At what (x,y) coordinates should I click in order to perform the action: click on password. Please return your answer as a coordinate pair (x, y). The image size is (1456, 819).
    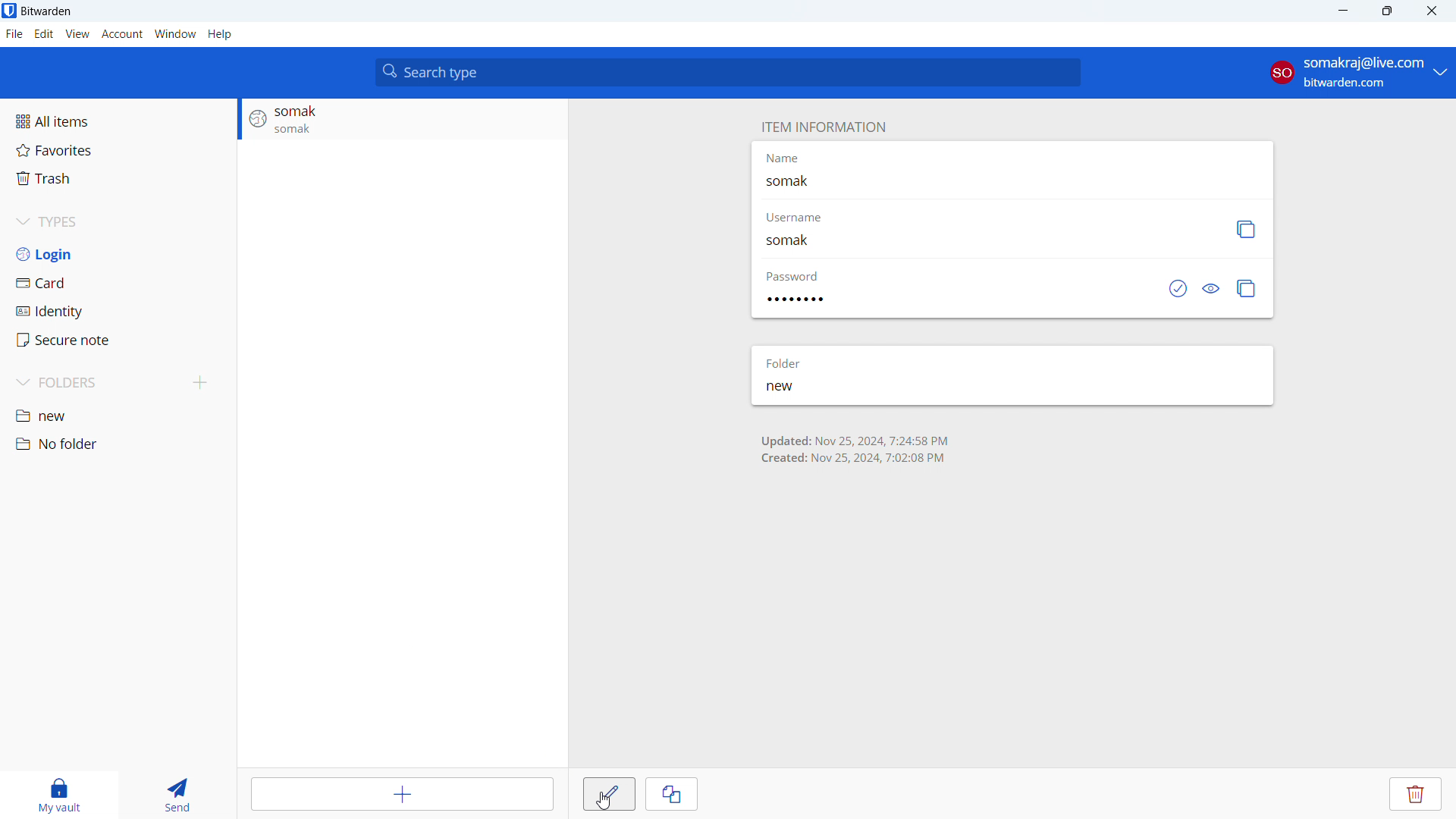
    Looking at the image, I should click on (795, 276).